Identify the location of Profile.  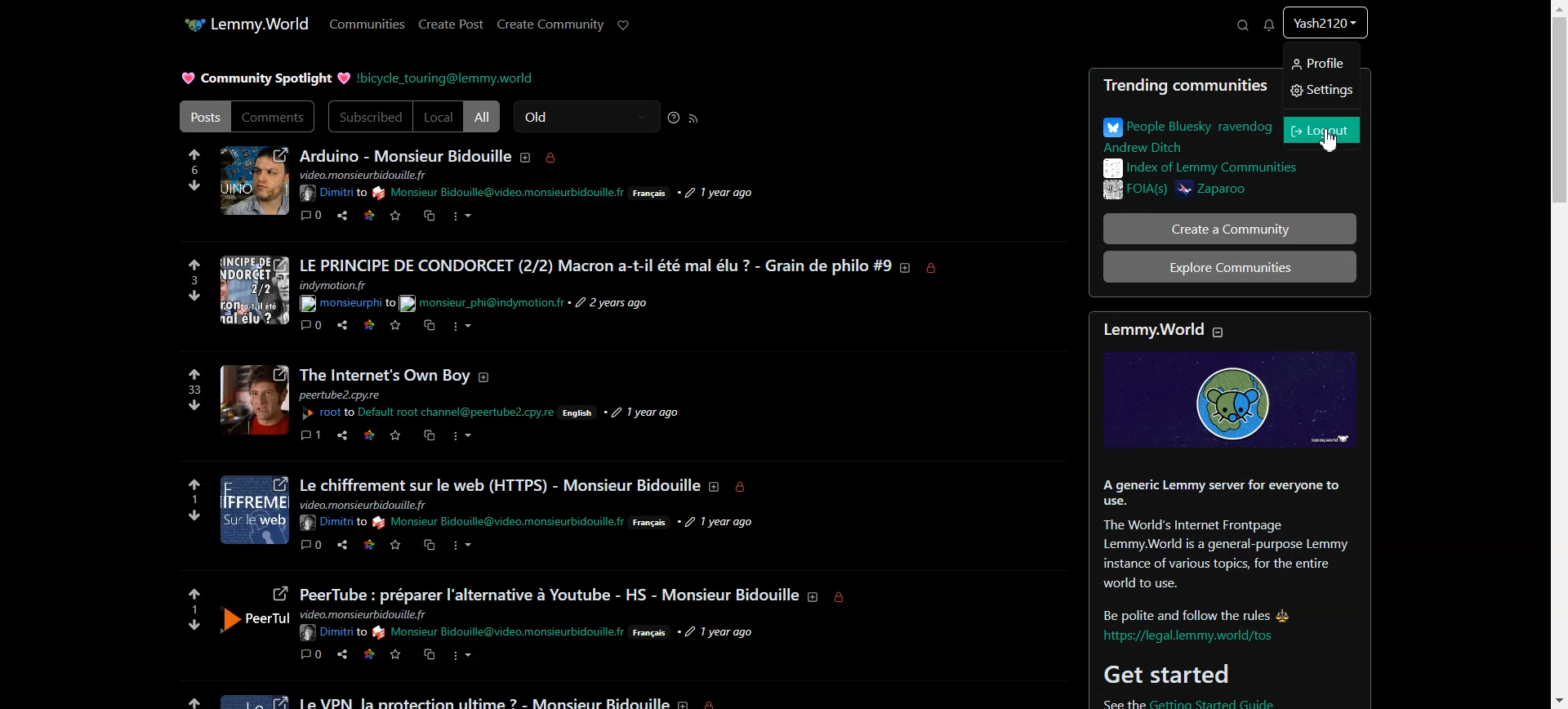
(1321, 64).